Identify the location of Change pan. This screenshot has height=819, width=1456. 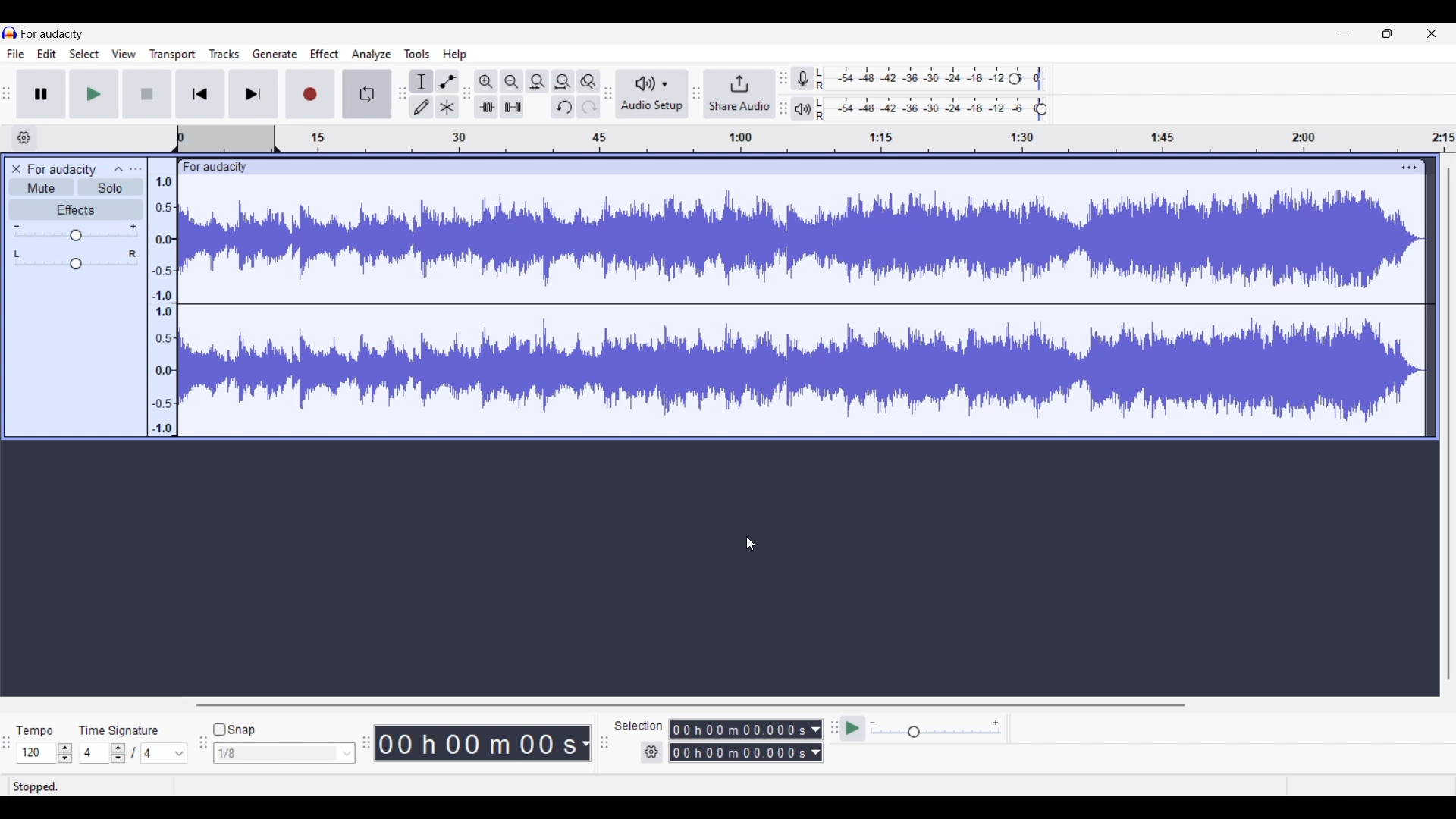
(75, 265).